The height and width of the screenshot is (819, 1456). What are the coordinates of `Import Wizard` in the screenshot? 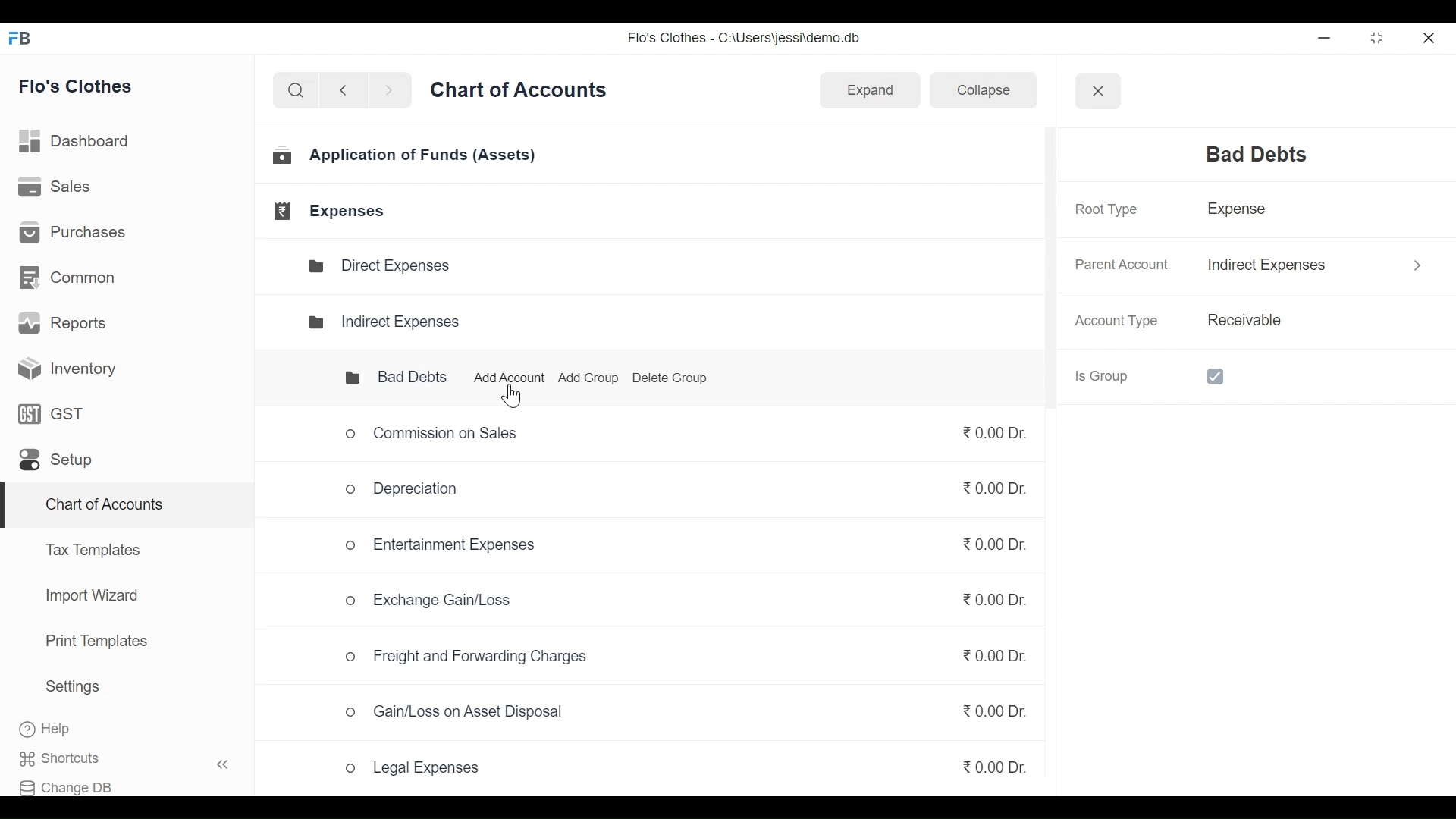 It's located at (87, 598).